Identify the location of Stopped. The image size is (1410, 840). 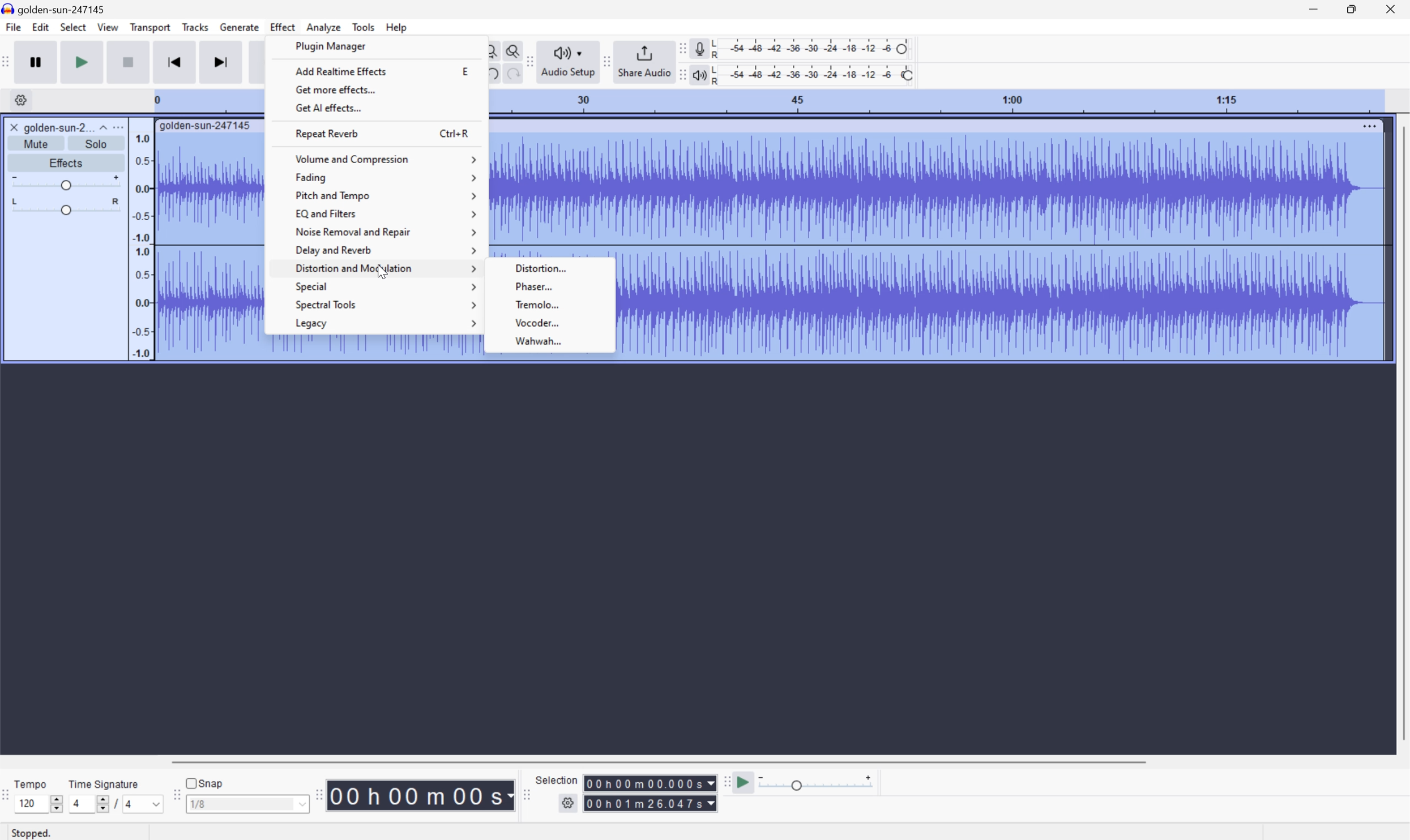
(32, 833).